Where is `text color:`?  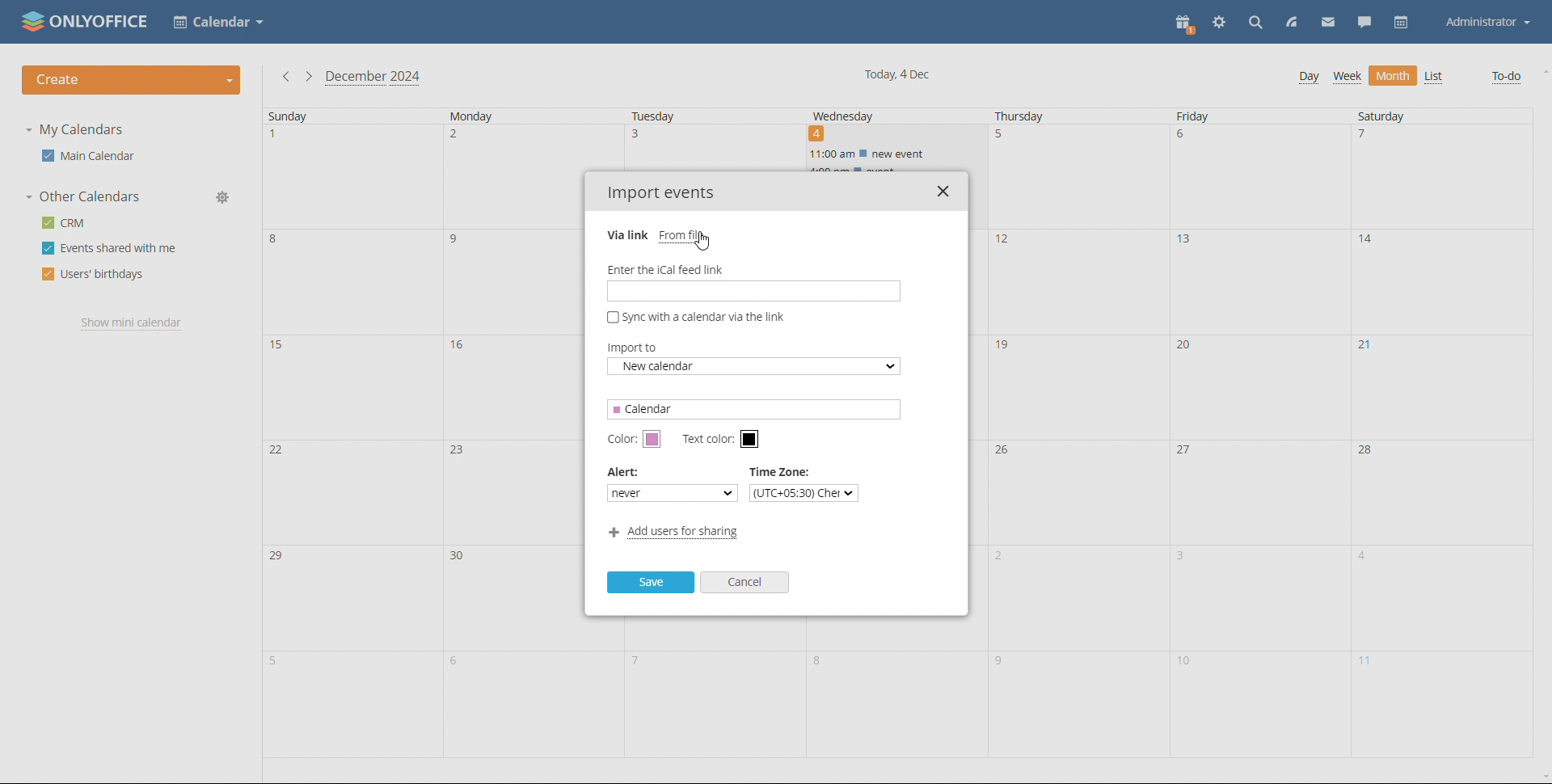
text color: is located at coordinates (705, 440).